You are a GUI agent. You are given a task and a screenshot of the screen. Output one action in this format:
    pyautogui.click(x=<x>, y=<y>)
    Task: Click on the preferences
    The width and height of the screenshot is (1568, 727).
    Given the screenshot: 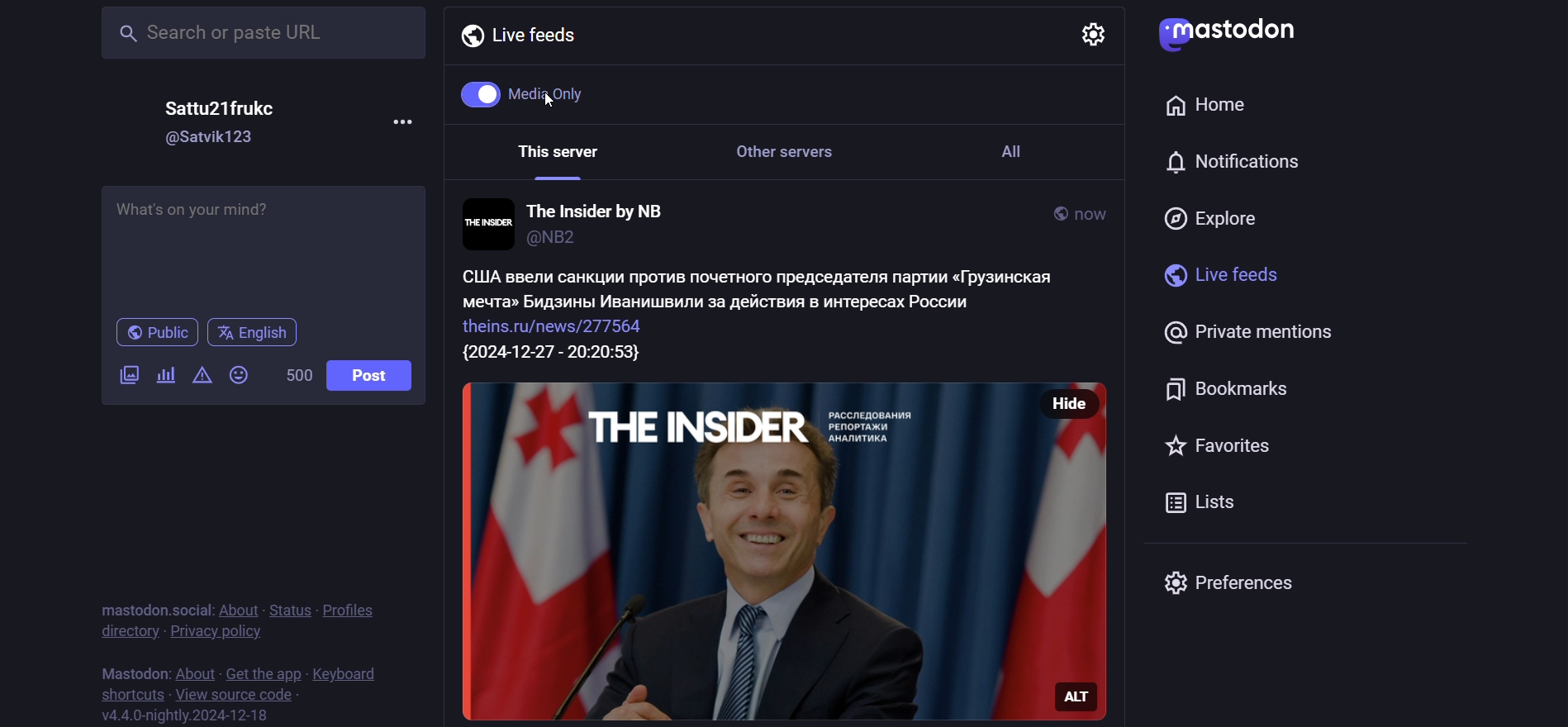 What is the action you would take?
    pyautogui.click(x=1236, y=584)
    